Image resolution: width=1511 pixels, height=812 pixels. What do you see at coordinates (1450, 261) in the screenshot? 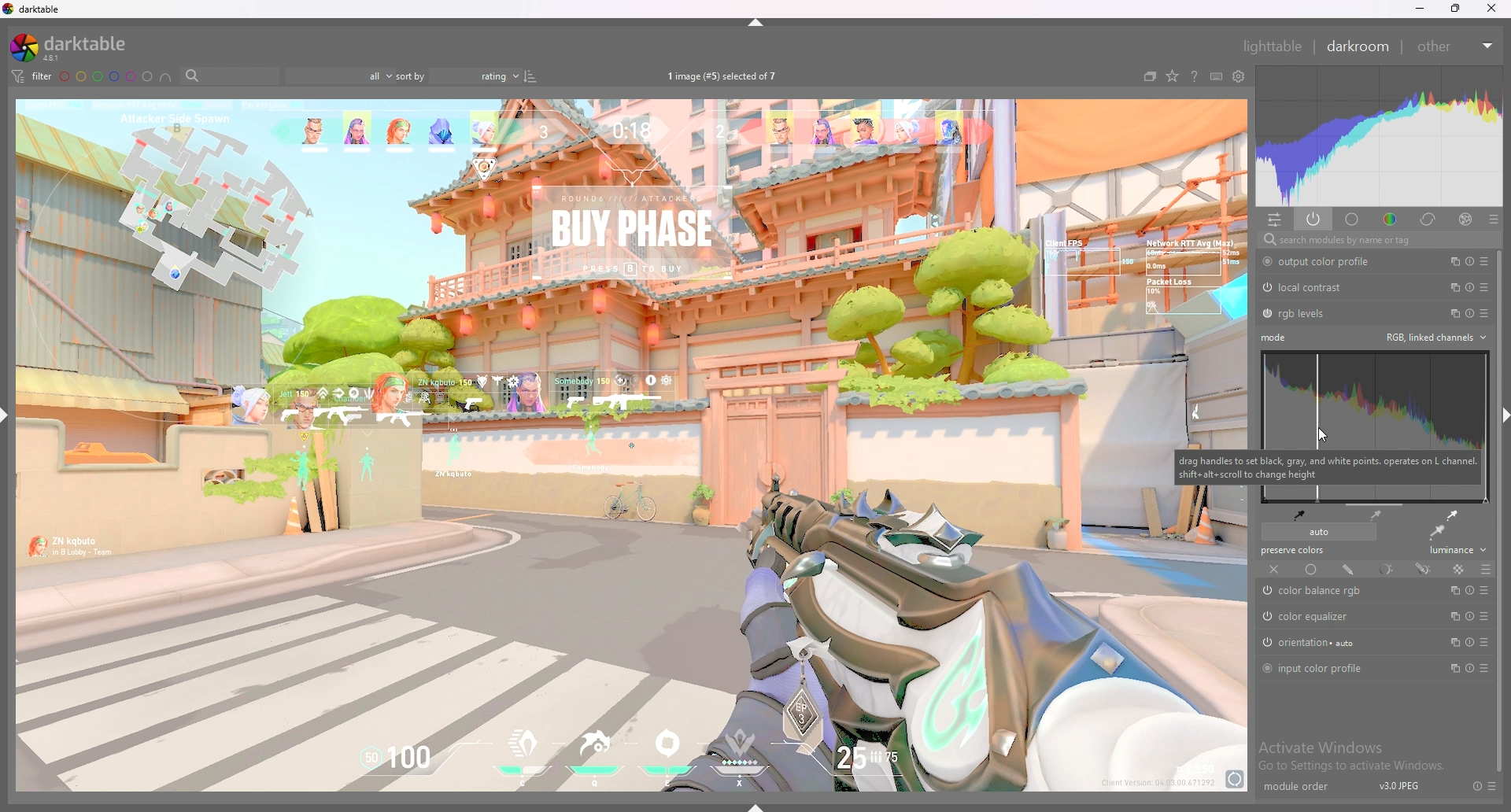
I see `multiple instances action` at bounding box center [1450, 261].